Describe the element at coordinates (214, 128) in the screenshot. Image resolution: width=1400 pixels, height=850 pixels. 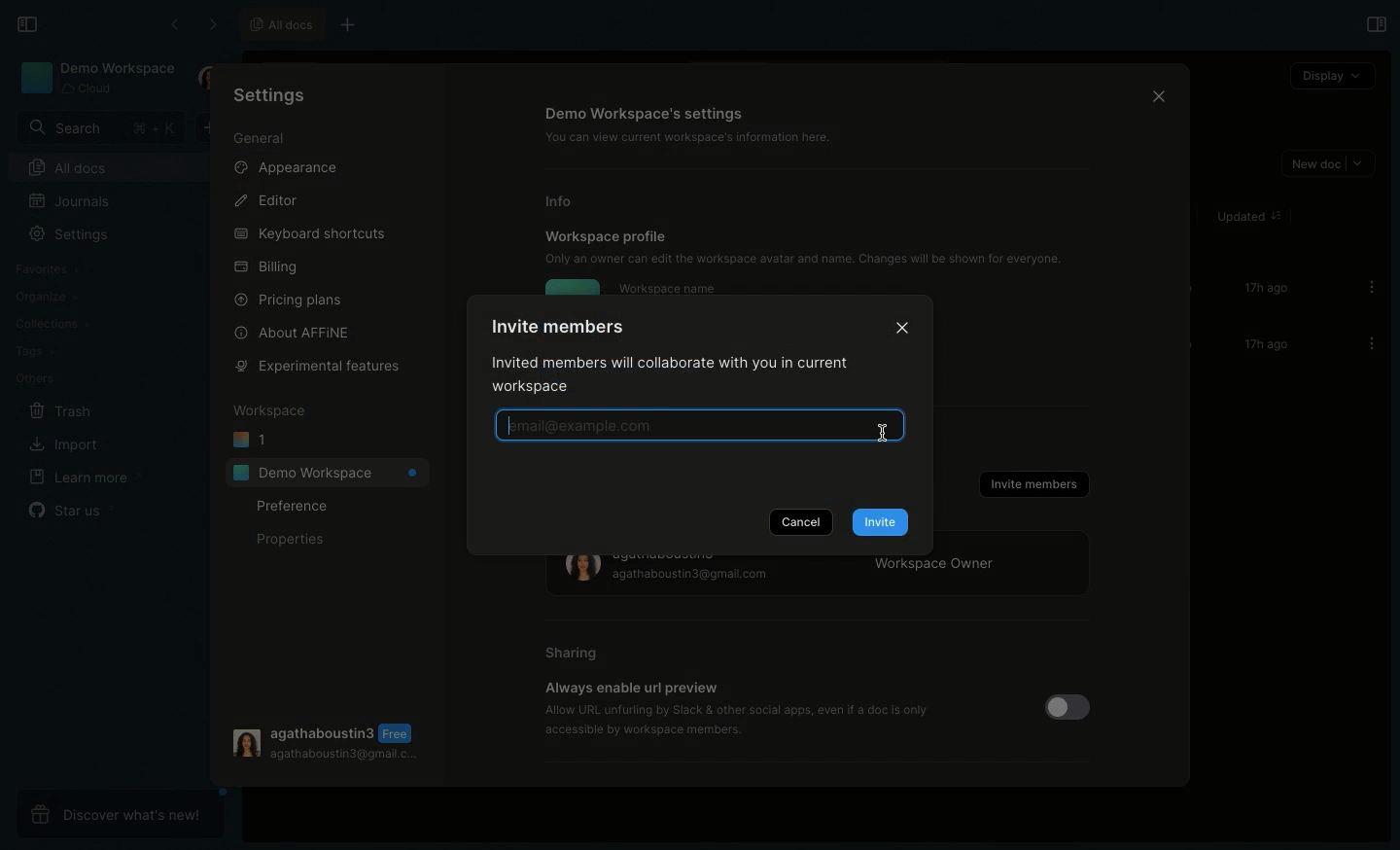
I see `New doc` at that location.